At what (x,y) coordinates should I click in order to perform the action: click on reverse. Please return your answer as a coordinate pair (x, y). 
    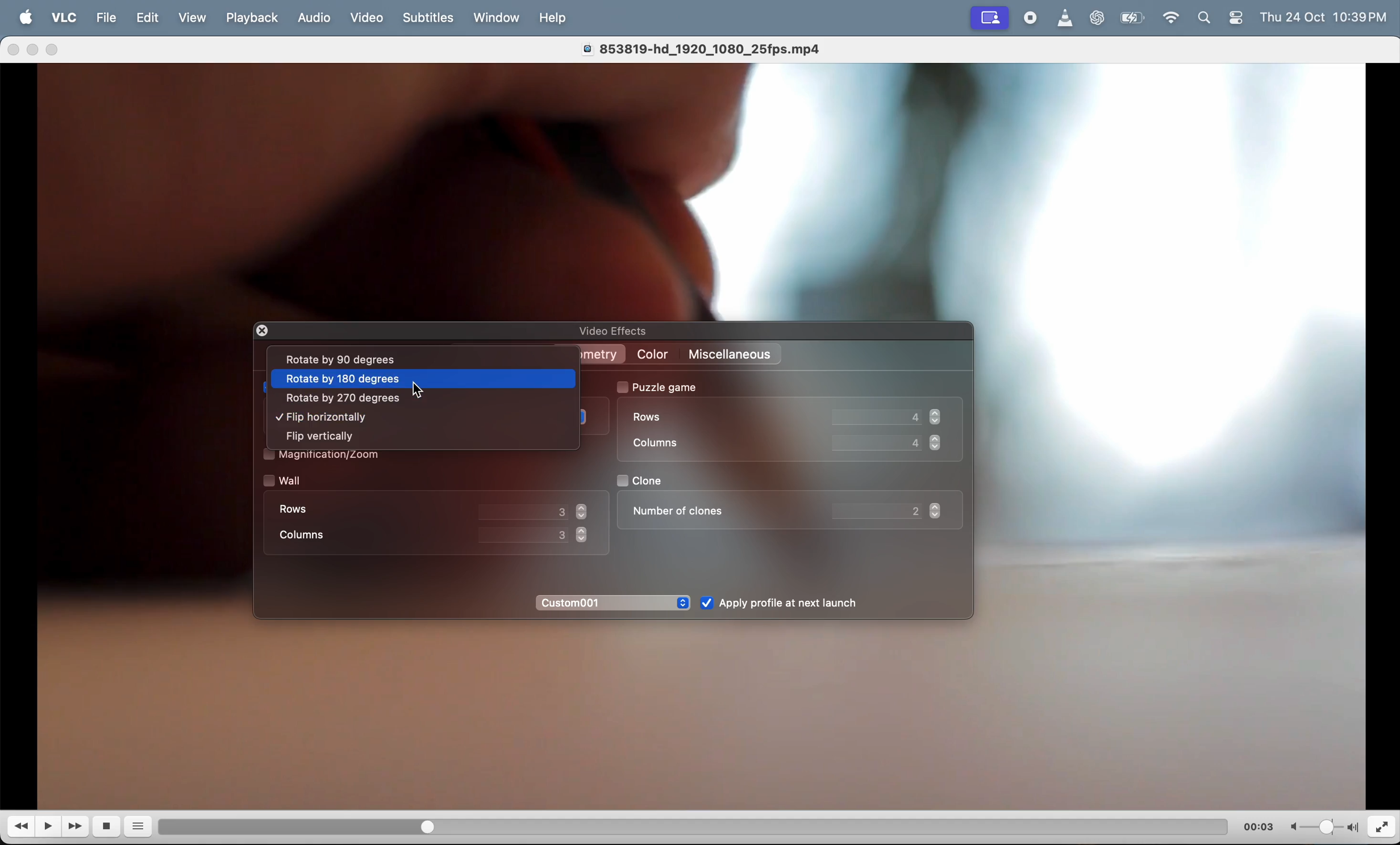
    Looking at the image, I should click on (22, 828).